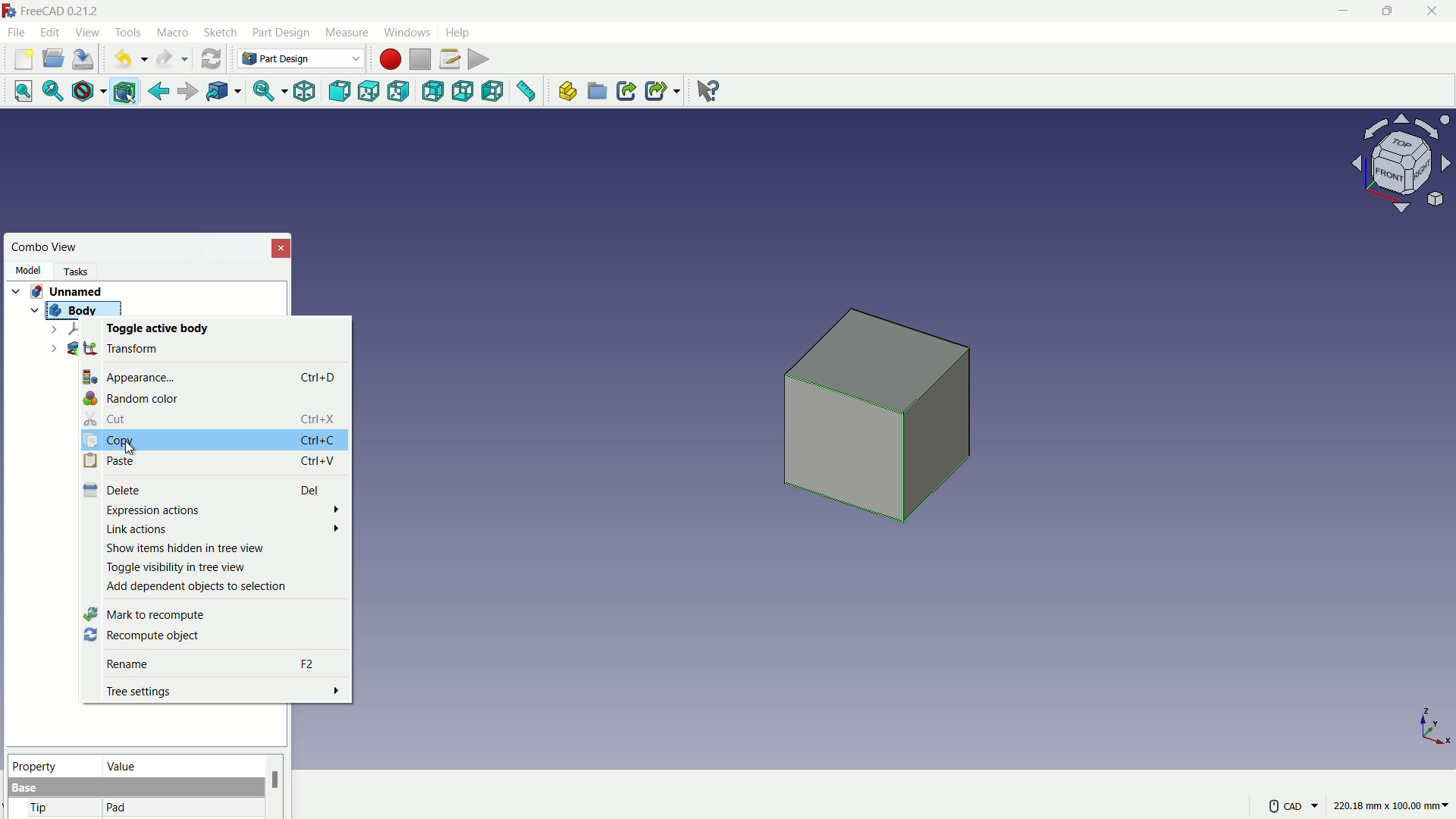 Image resolution: width=1456 pixels, height=819 pixels. What do you see at coordinates (159, 92) in the screenshot?
I see `go back` at bounding box center [159, 92].